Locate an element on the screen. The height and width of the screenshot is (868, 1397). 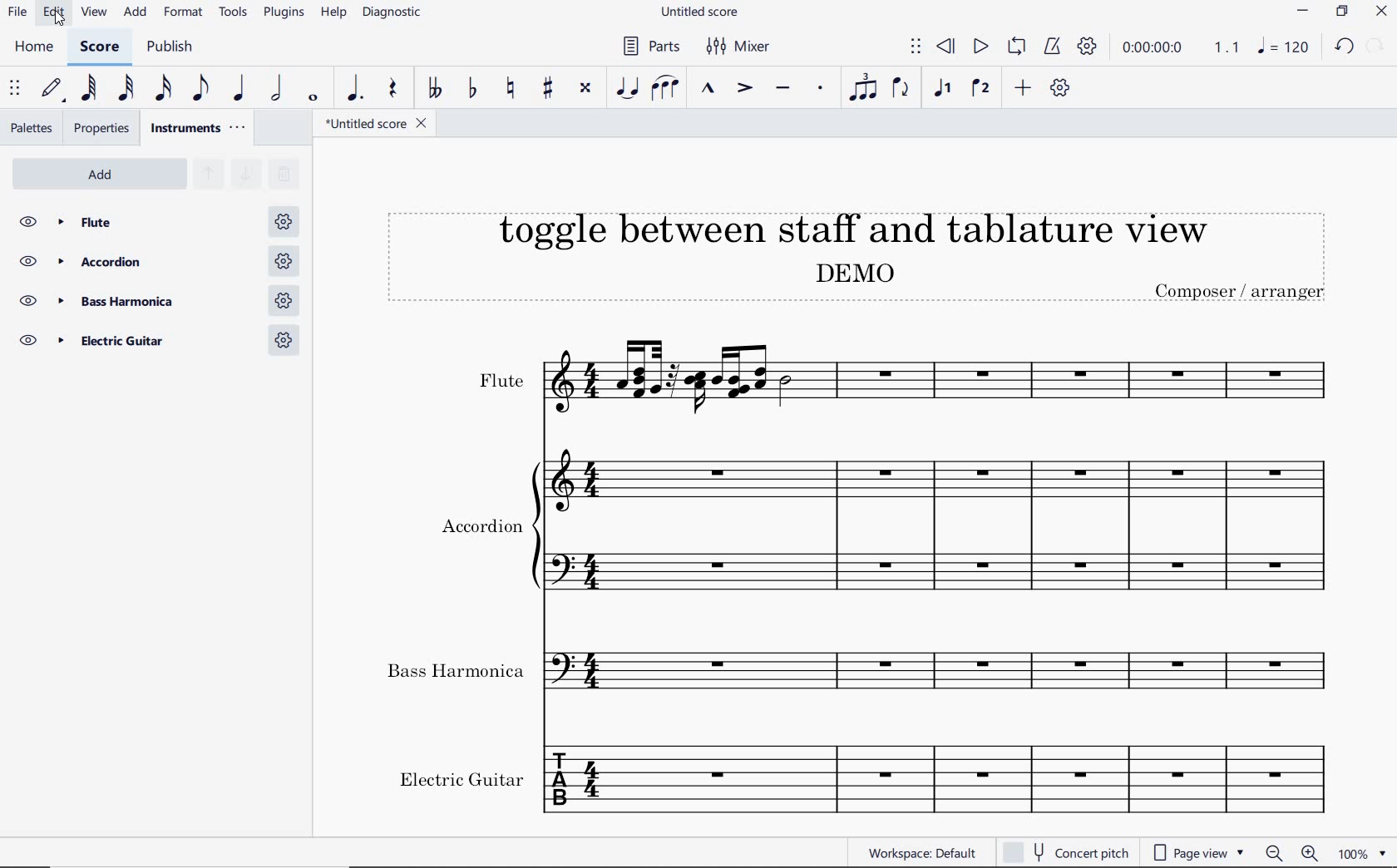
Instrument: Electric guitar is located at coordinates (865, 777).